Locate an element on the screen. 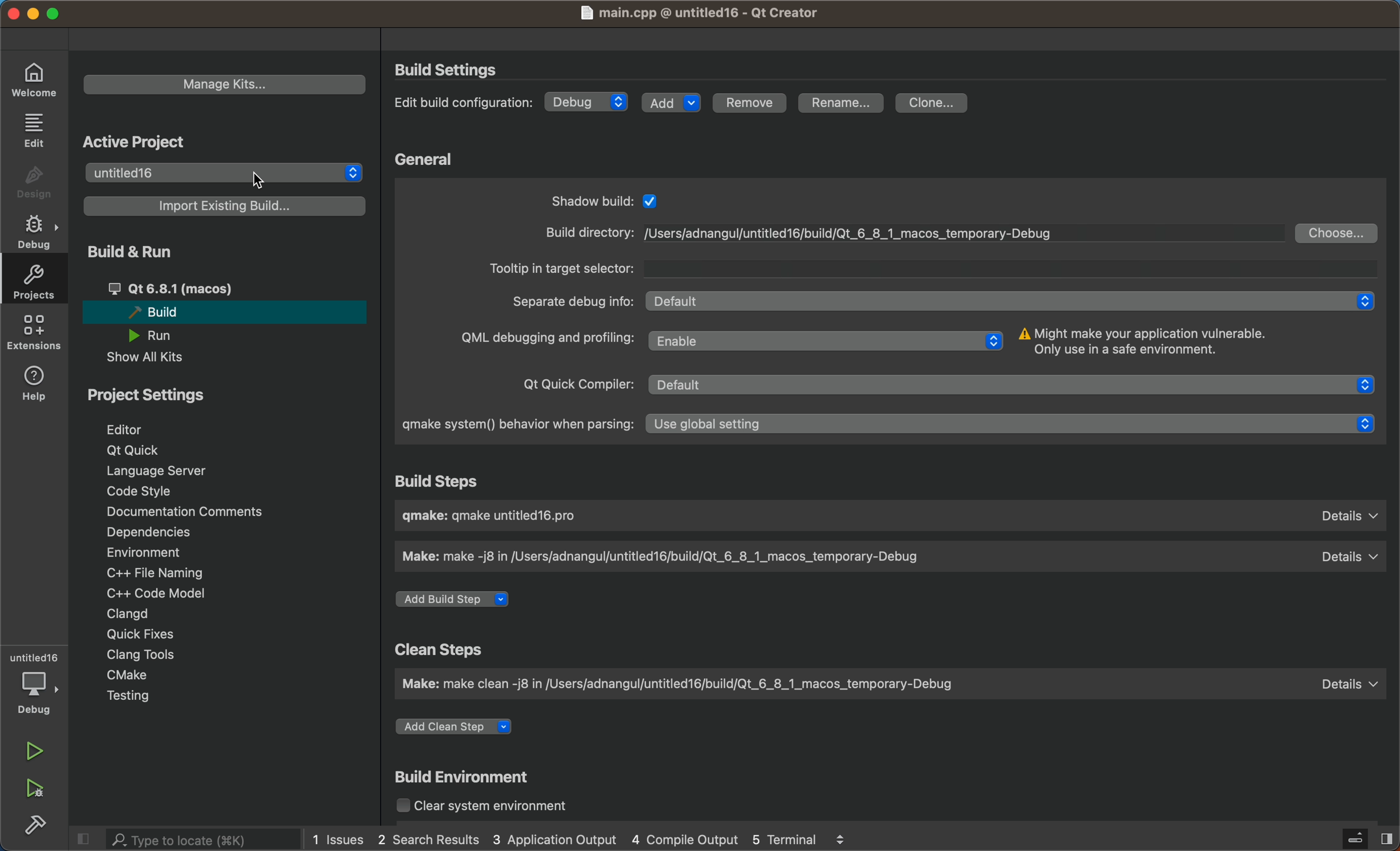 Image resolution: width=1400 pixels, height=851 pixels. general is located at coordinates (439, 156).